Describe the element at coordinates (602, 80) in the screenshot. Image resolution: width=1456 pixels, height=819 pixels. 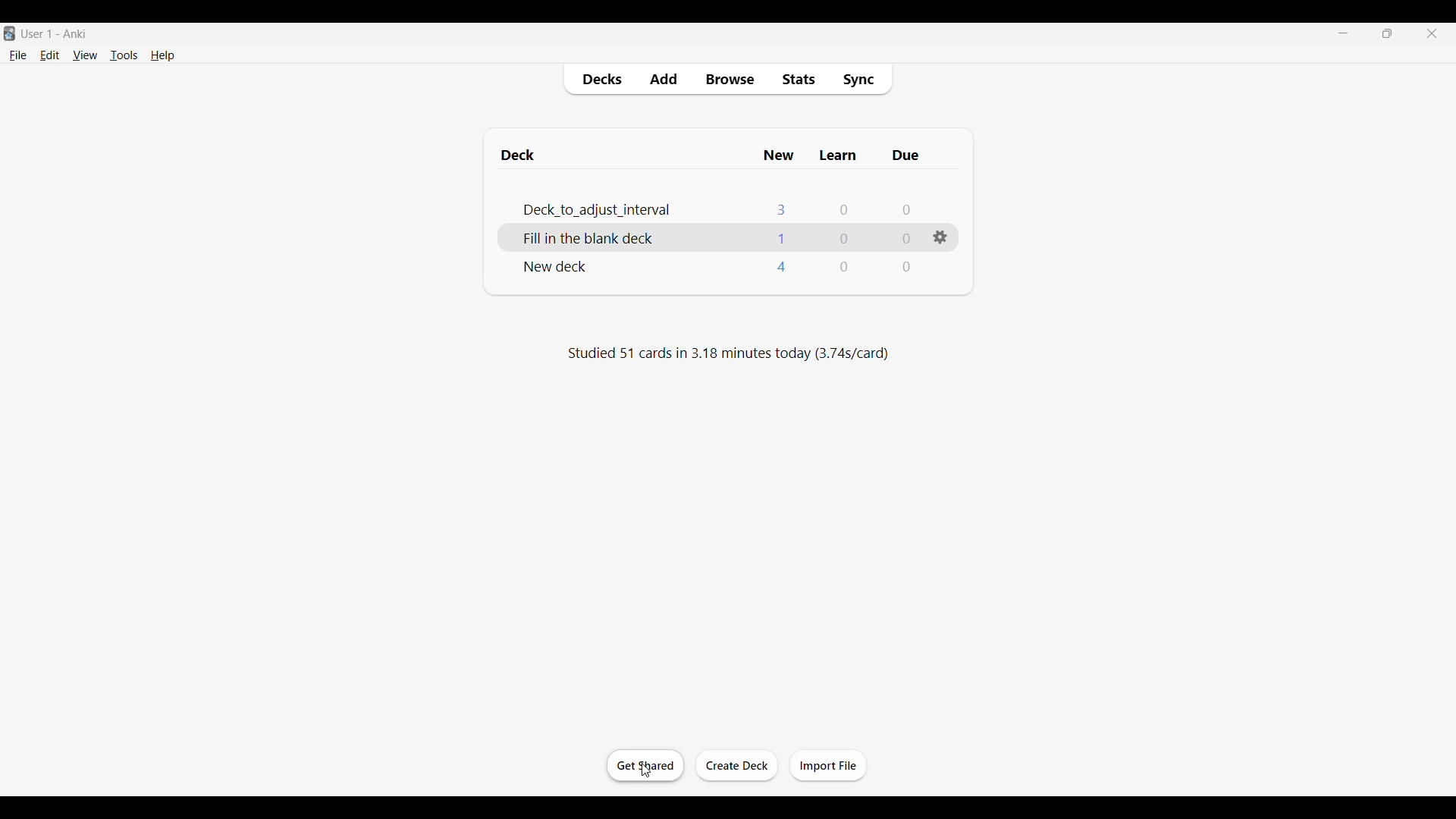
I see `Decks` at that location.